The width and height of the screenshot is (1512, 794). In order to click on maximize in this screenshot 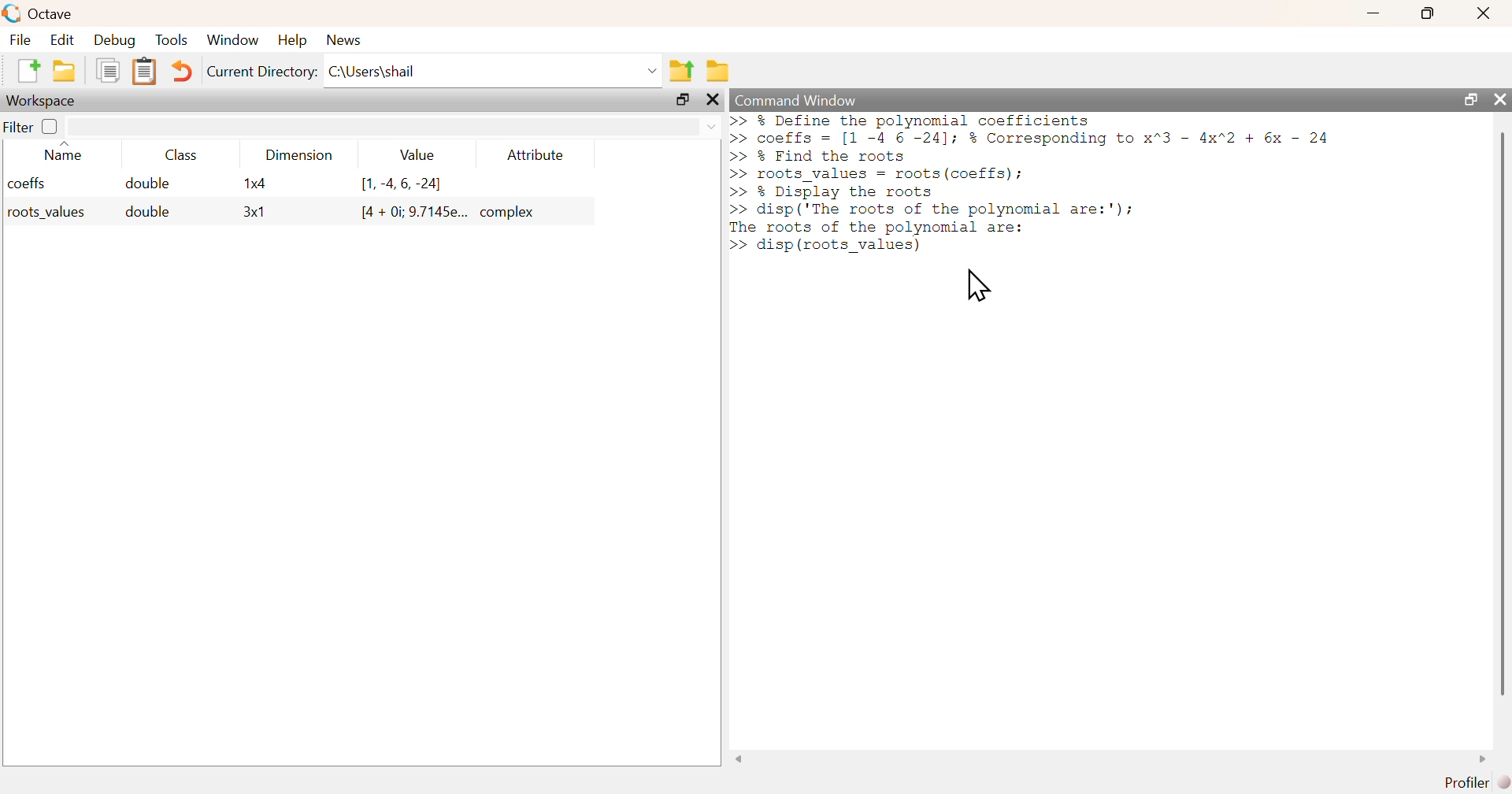, I will do `click(1467, 98)`.